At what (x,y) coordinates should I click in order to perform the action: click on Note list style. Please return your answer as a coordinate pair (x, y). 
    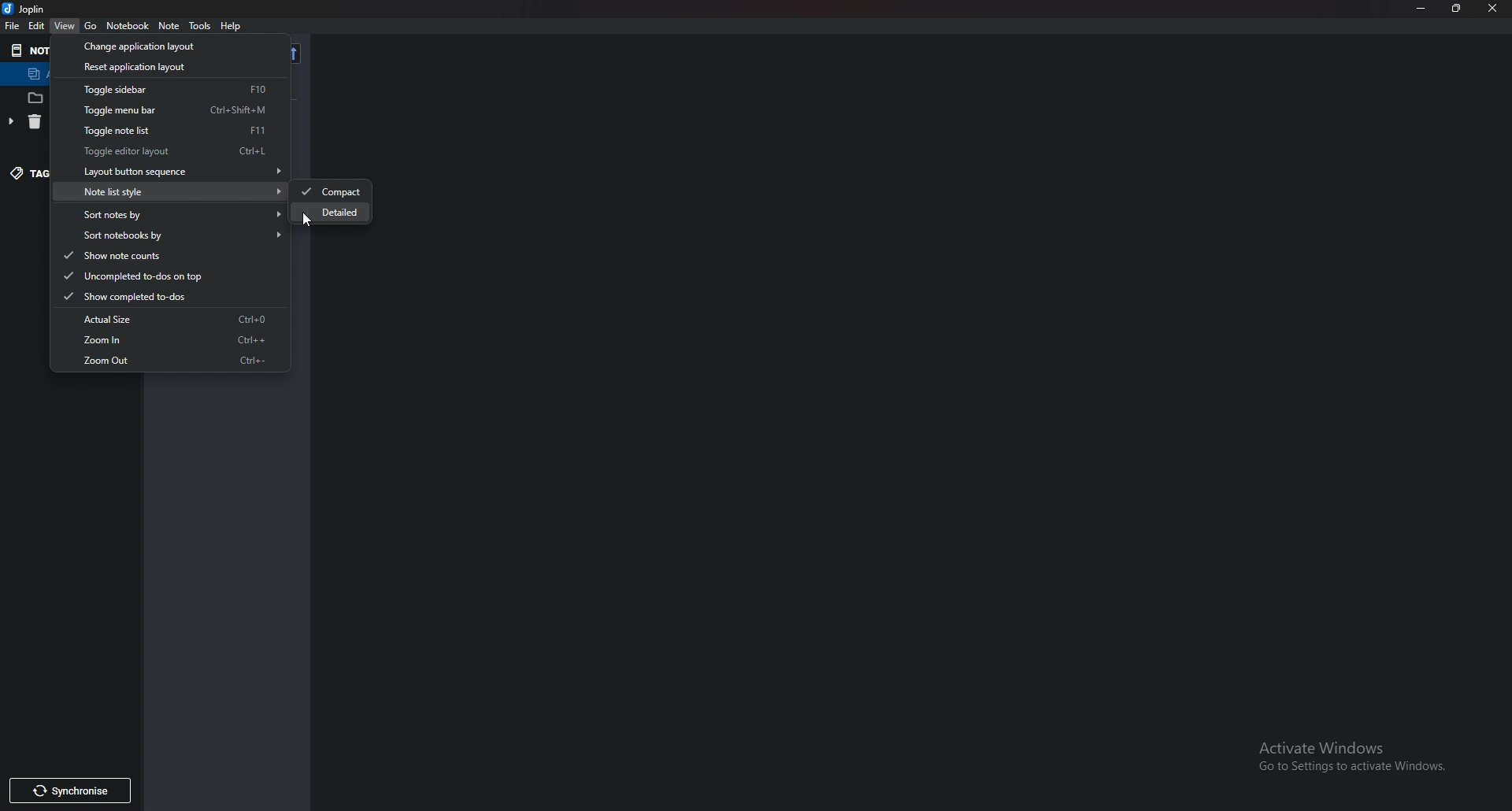
    Looking at the image, I should click on (173, 191).